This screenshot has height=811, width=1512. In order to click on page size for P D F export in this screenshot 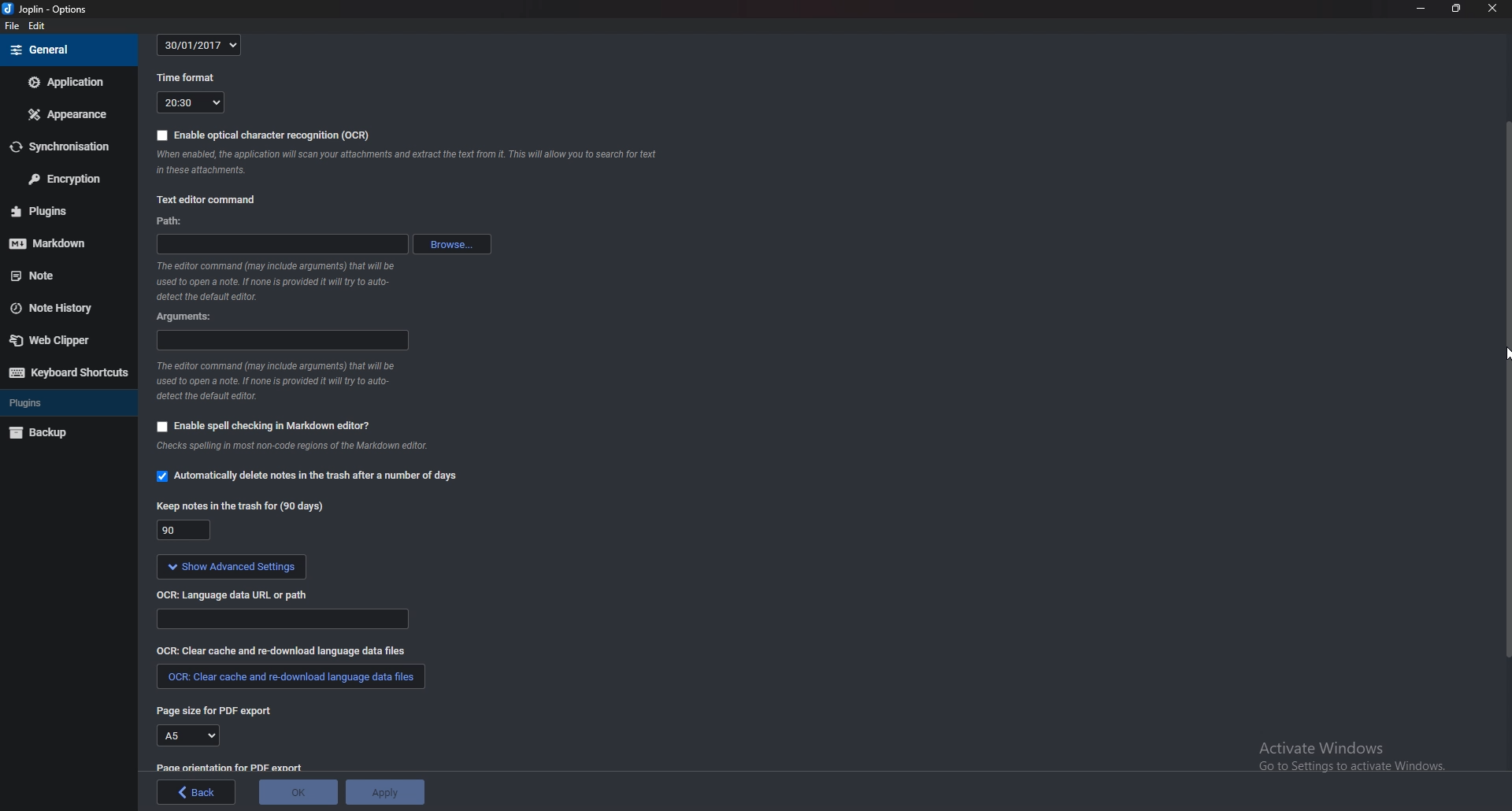, I will do `click(220, 713)`.